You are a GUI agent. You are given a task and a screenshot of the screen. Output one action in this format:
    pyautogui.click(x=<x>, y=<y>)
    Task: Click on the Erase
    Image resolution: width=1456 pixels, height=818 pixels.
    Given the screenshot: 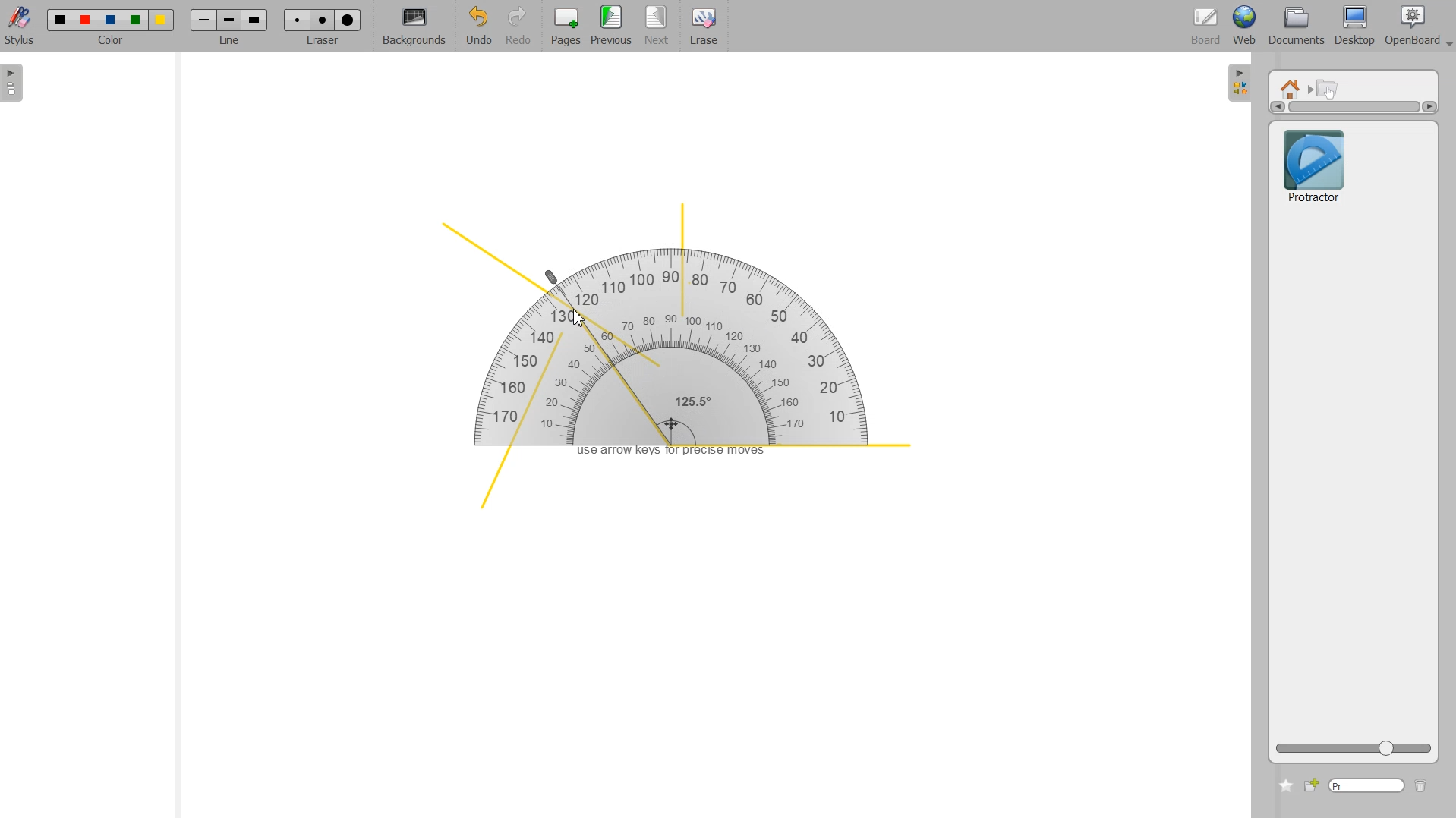 What is the action you would take?
    pyautogui.click(x=703, y=27)
    